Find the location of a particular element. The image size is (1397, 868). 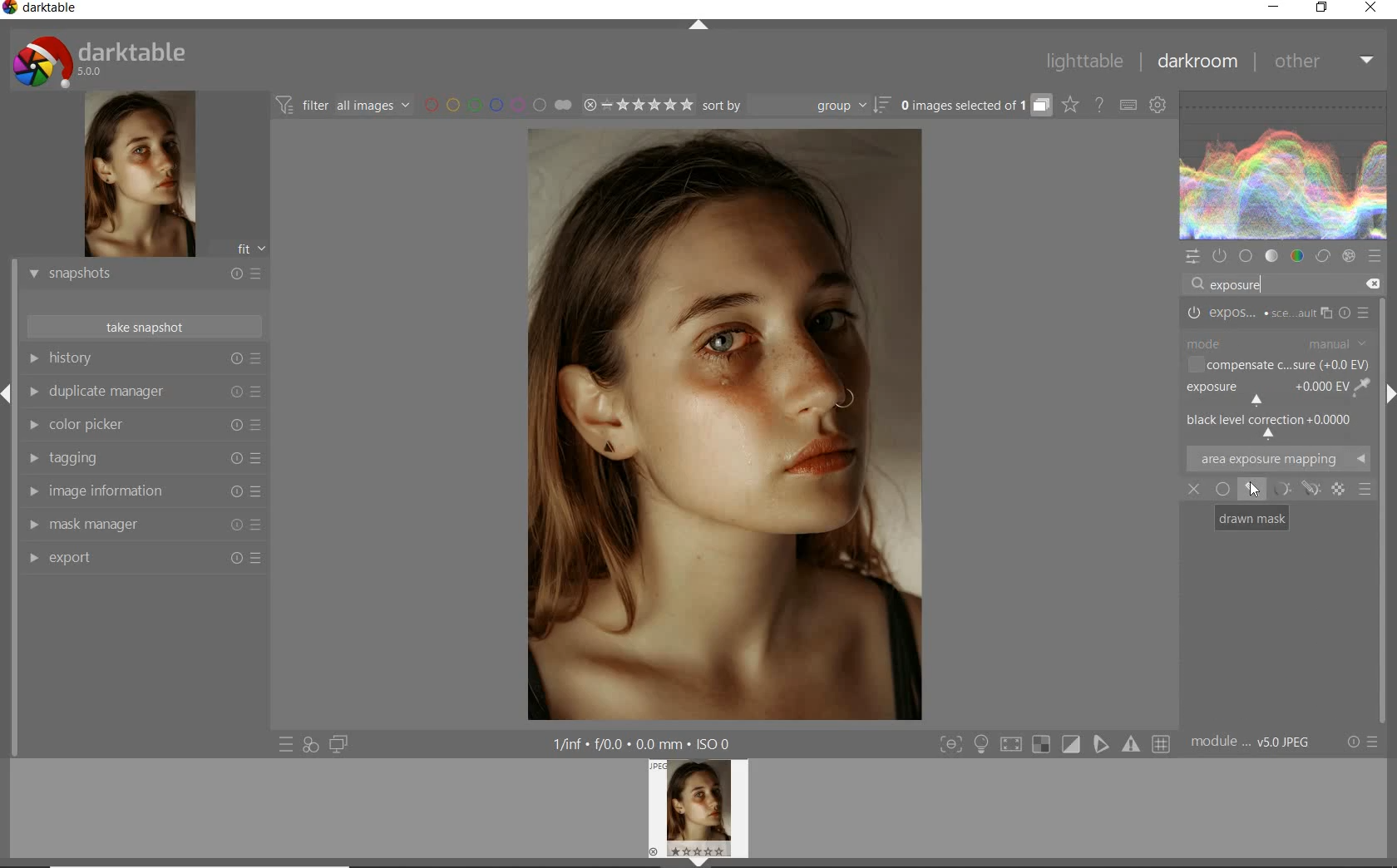

color is located at coordinates (1298, 255).